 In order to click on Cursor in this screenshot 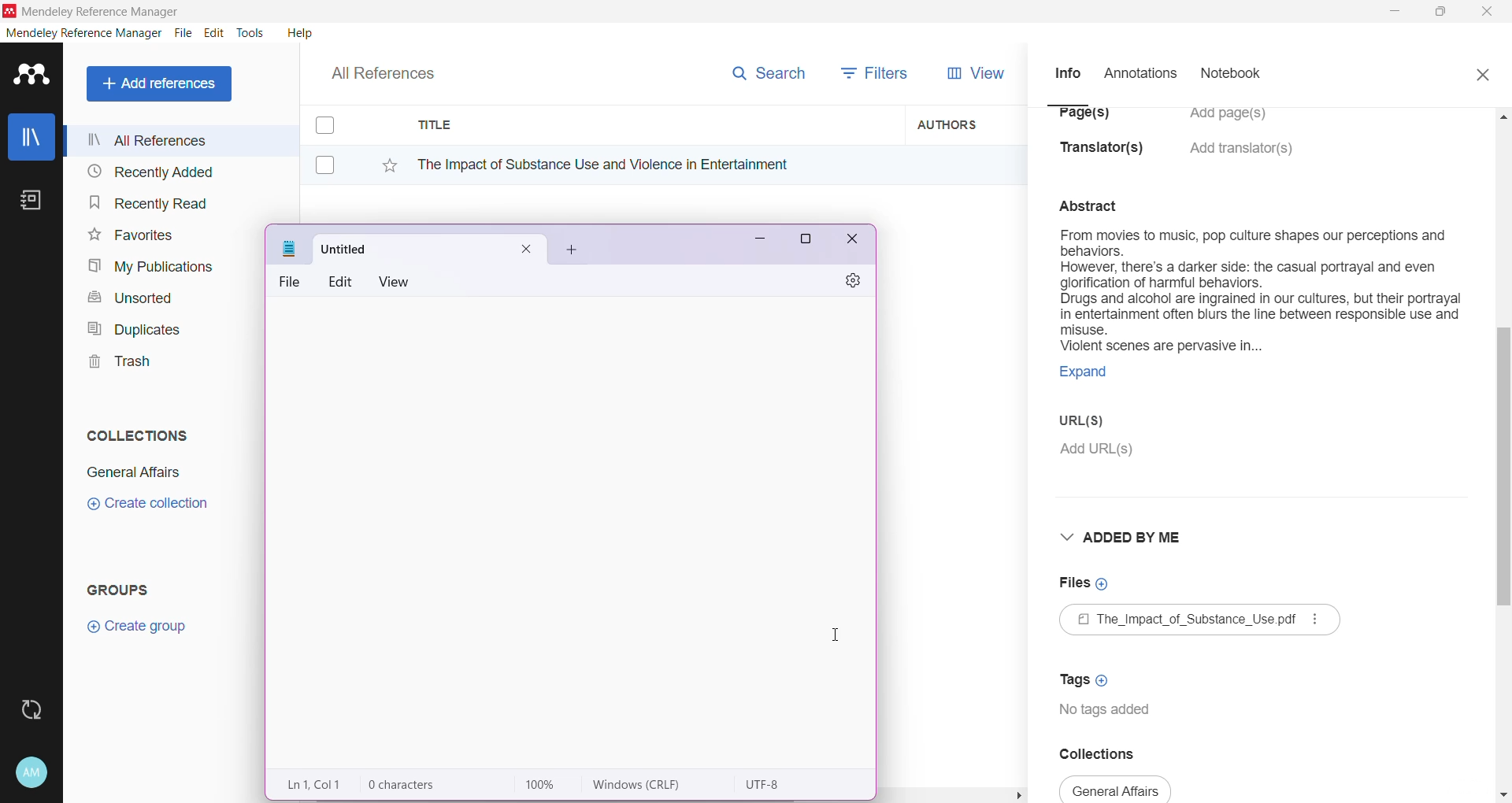, I will do `click(841, 633)`.